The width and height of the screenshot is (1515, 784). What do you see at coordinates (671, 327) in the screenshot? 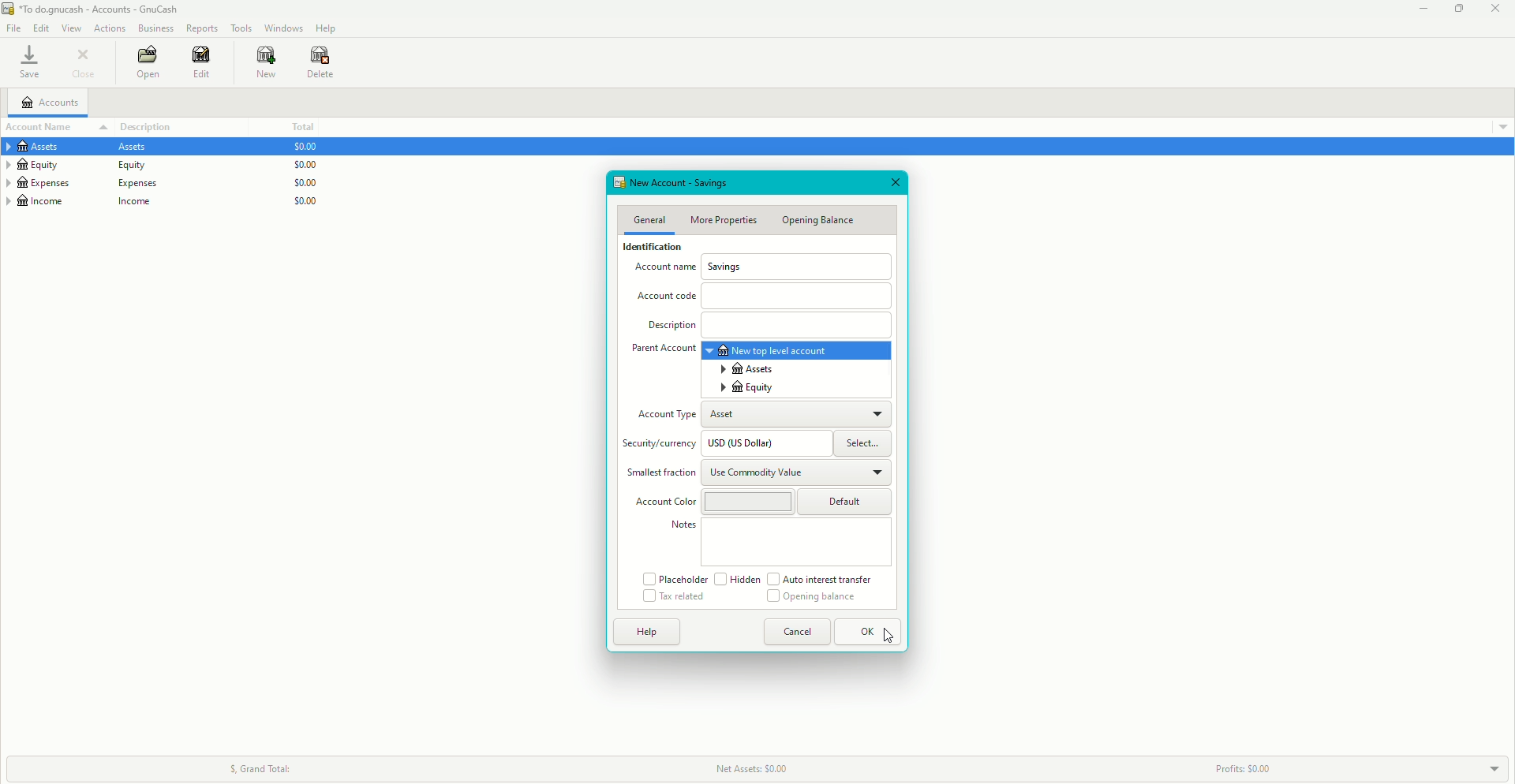
I see `Description` at bounding box center [671, 327].